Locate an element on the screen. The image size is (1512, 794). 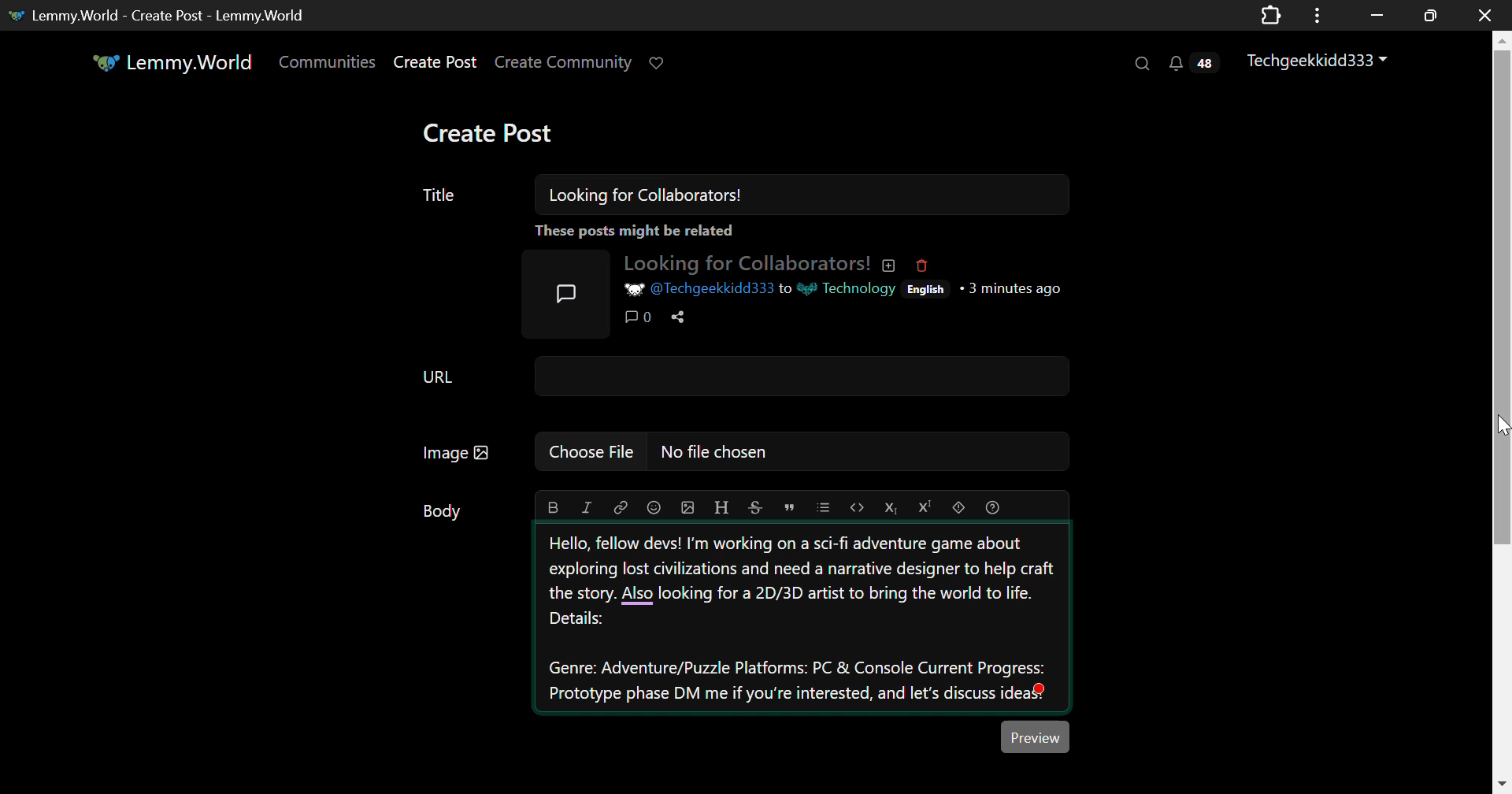
list is located at coordinates (823, 508).